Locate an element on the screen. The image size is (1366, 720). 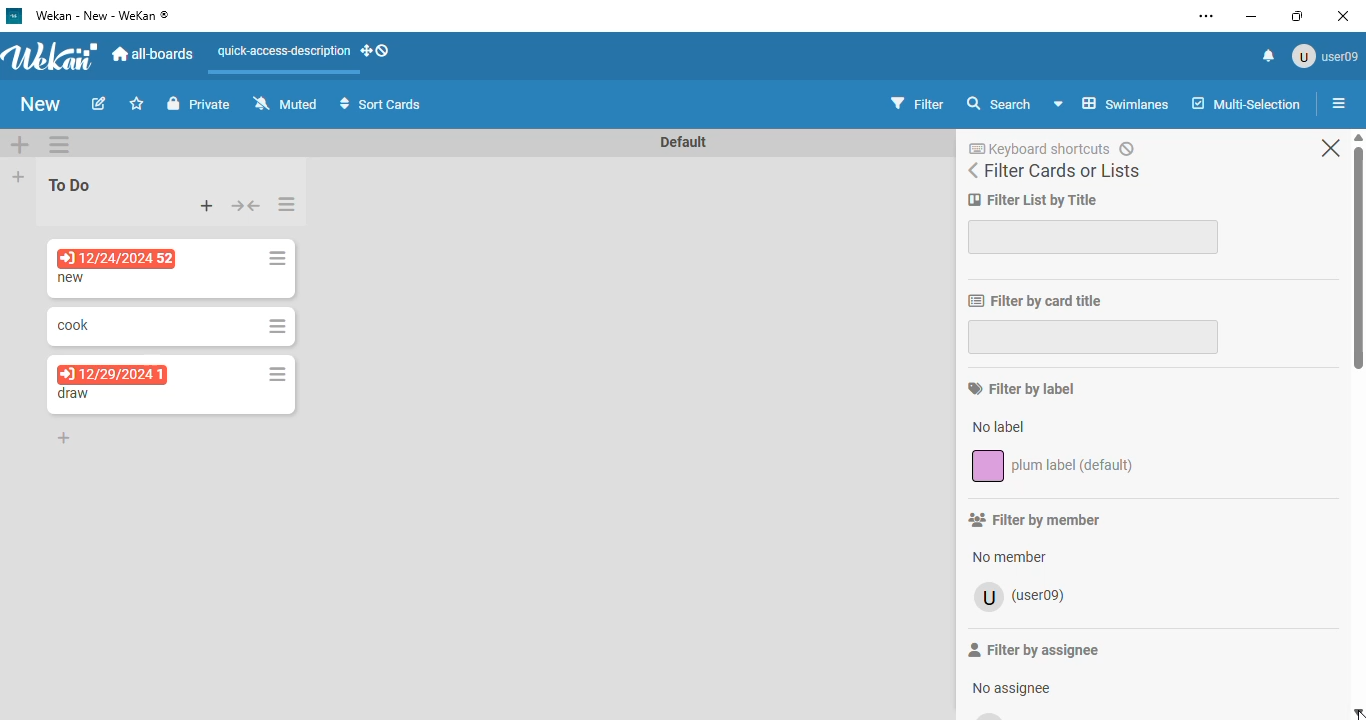
logo is located at coordinates (15, 16).